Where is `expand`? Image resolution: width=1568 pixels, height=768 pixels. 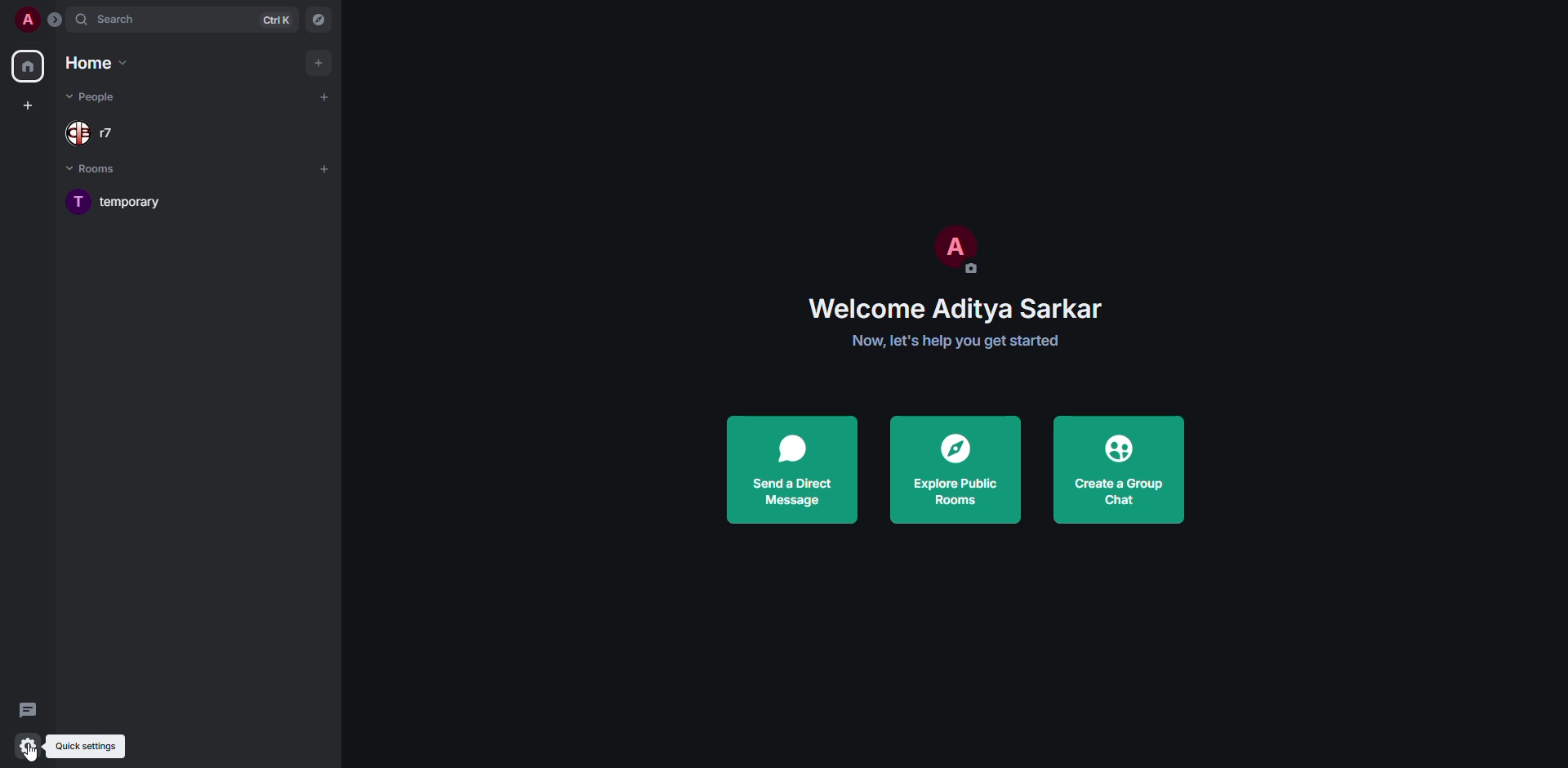
expand is located at coordinates (54, 20).